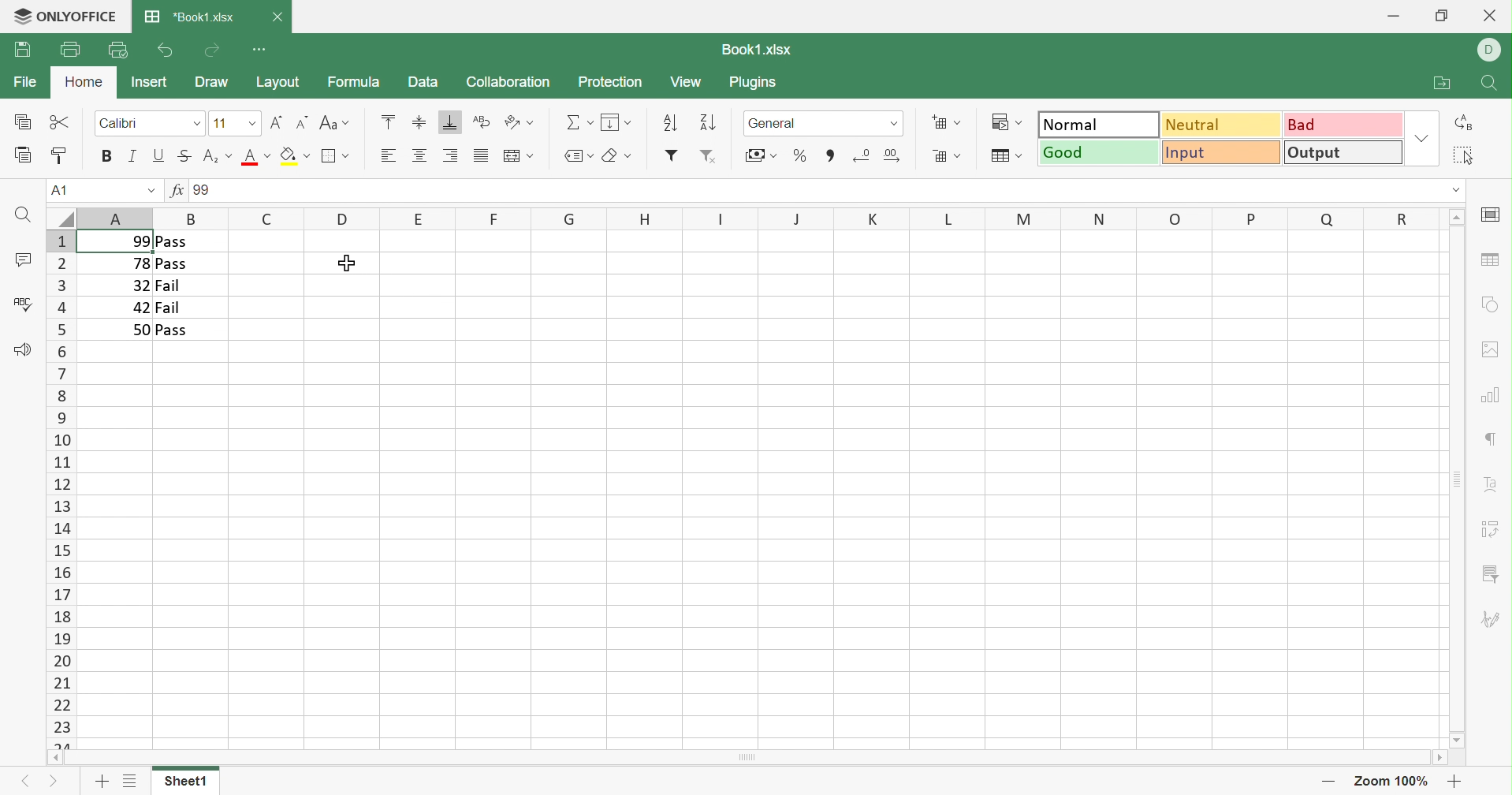 The width and height of the screenshot is (1512, 795). I want to click on Font, so click(150, 121).